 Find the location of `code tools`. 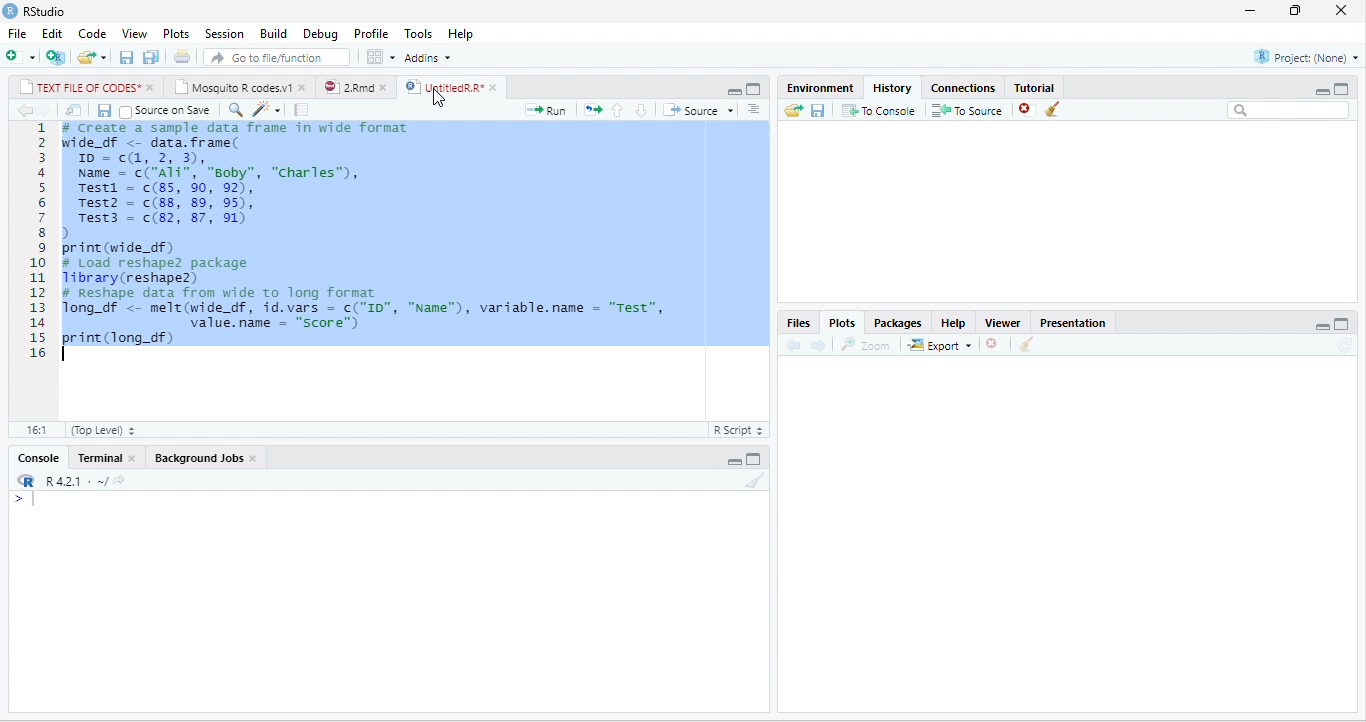

code tools is located at coordinates (267, 109).